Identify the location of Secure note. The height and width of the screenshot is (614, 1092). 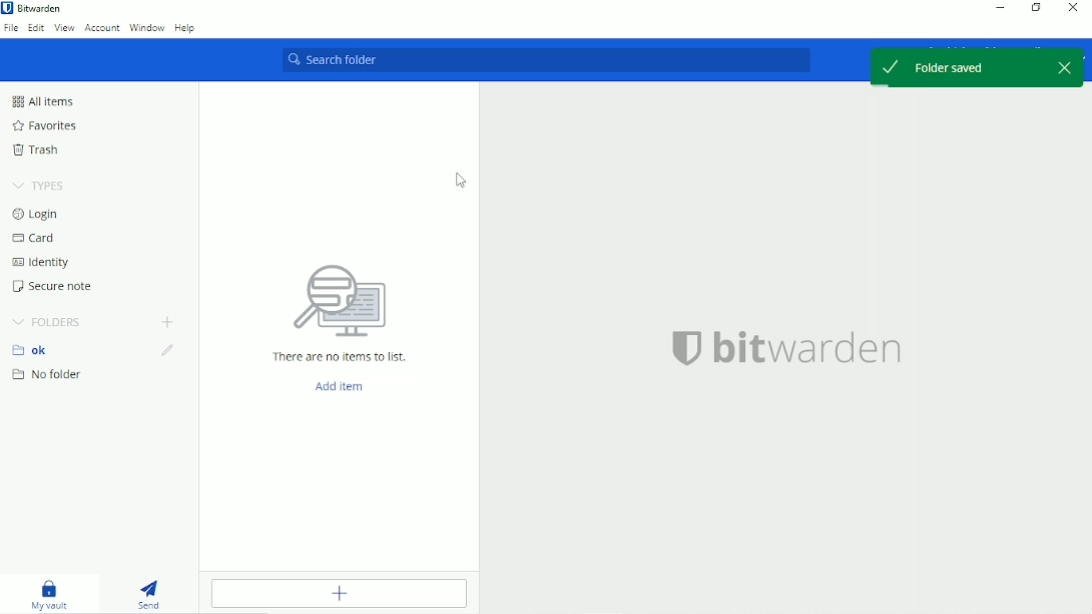
(55, 286).